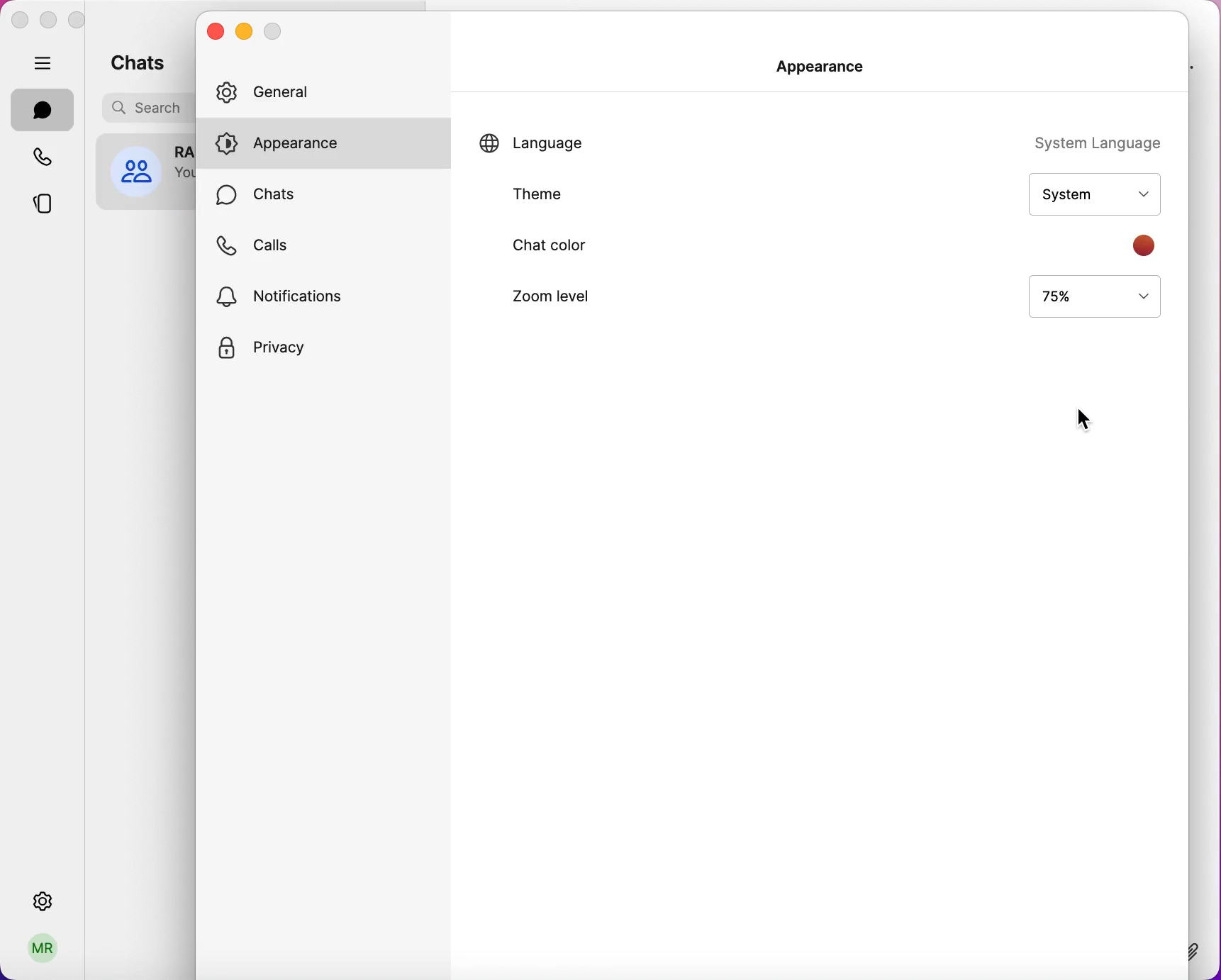  Describe the element at coordinates (312, 295) in the screenshot. I see `notifications` at that location.